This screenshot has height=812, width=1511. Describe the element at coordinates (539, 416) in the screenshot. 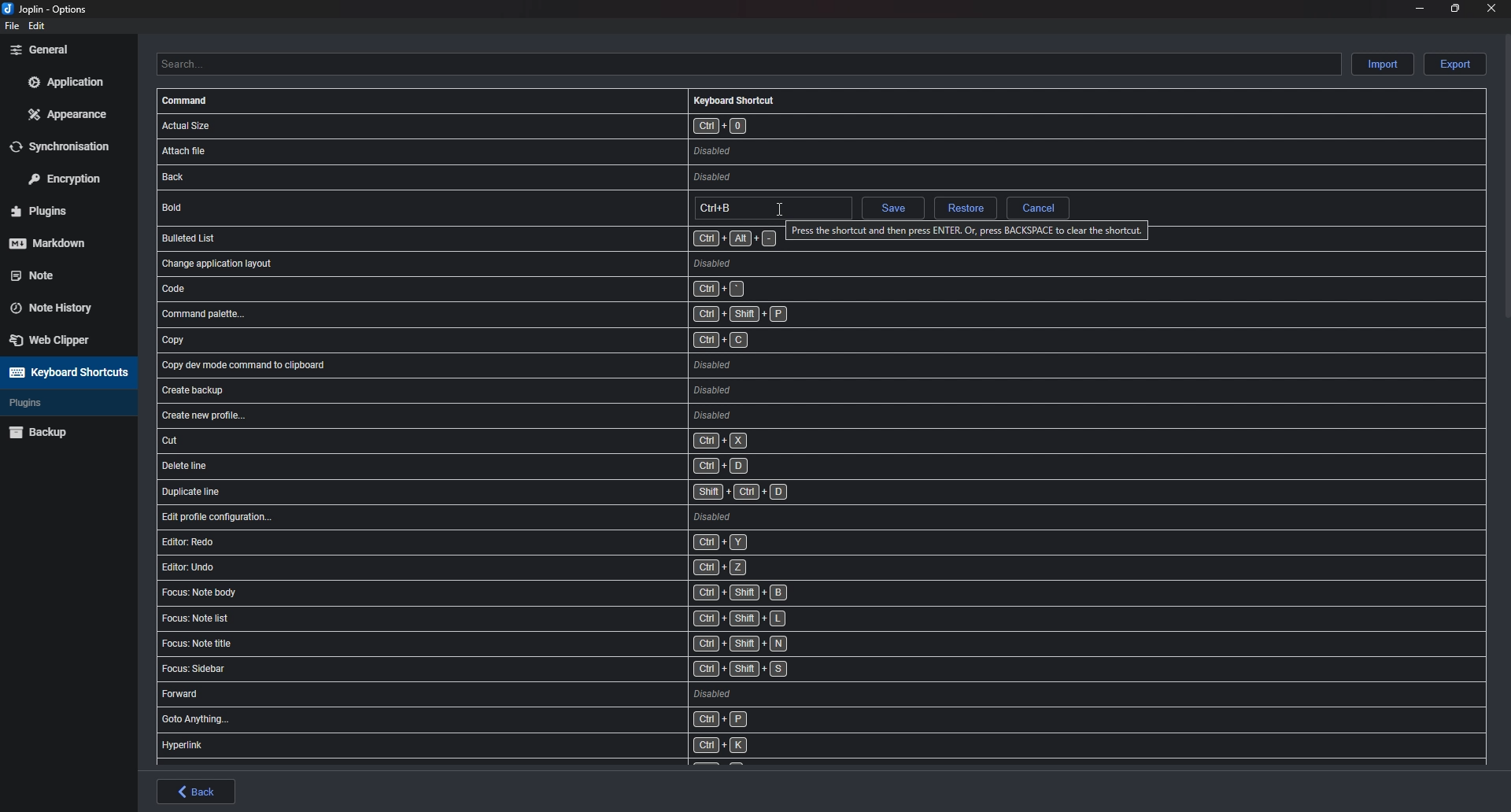

I see `shortcut` at that location.